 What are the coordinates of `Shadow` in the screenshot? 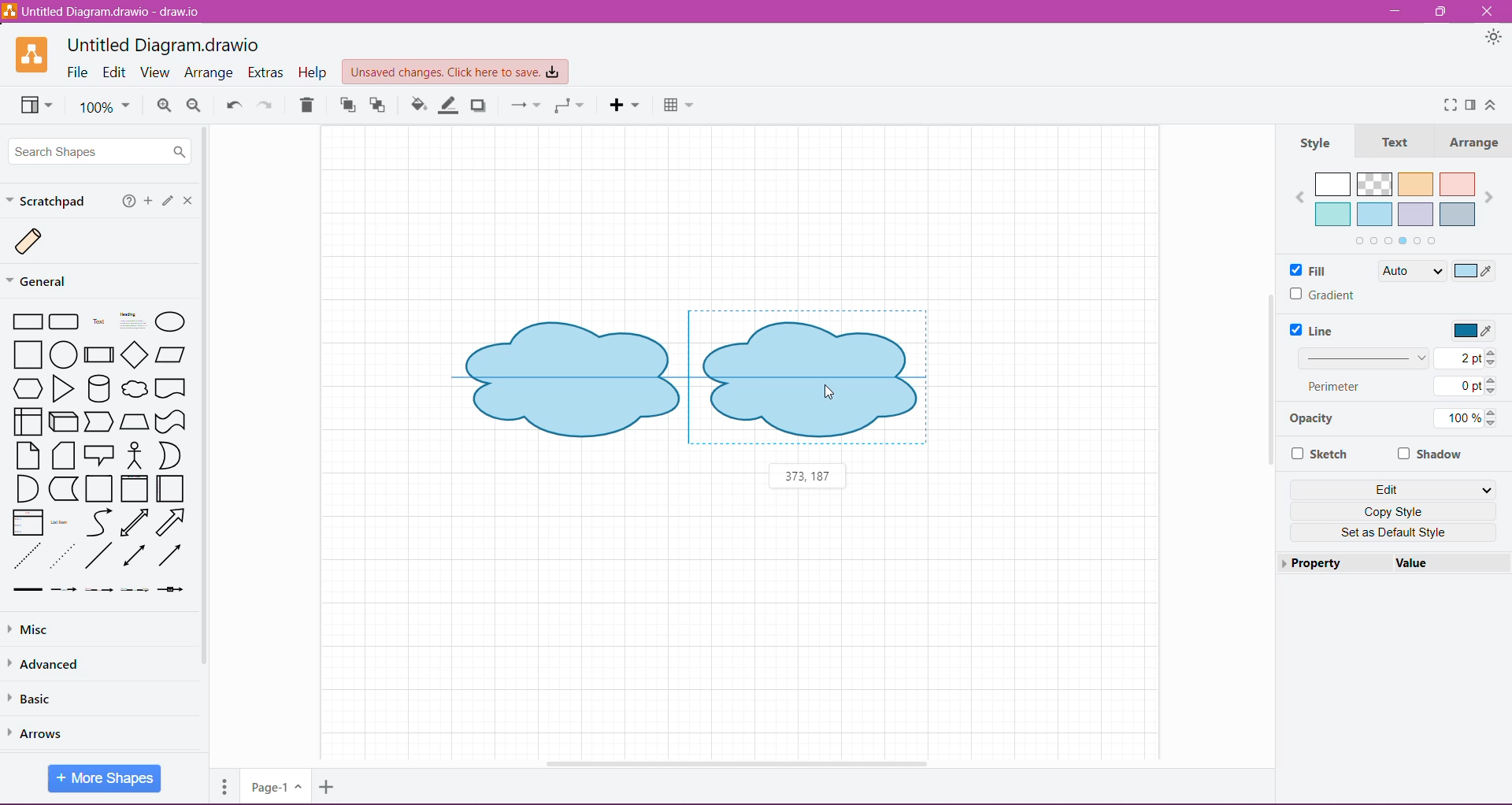 It's located at (1431, 454).